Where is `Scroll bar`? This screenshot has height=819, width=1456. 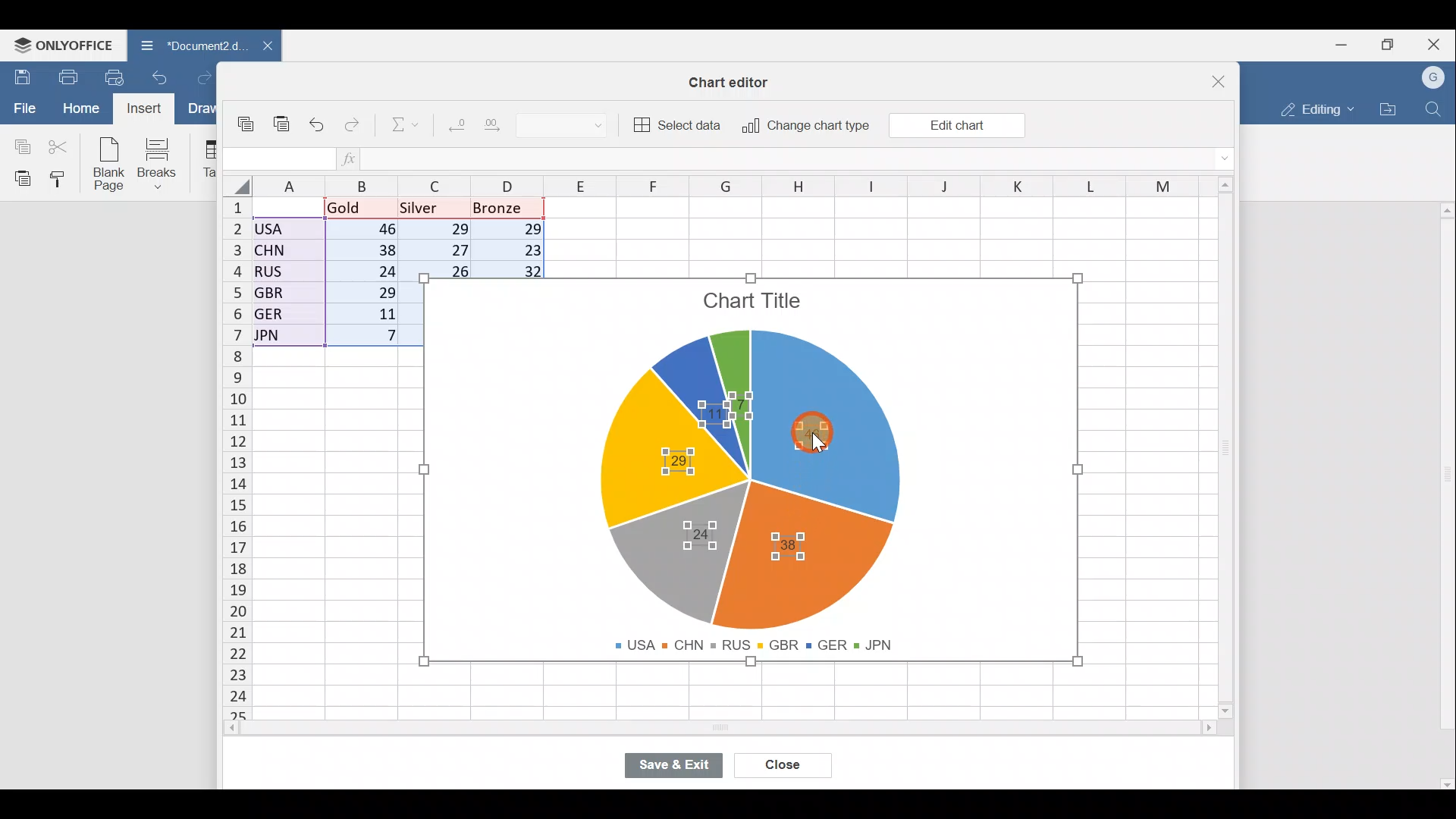
Scroll bar is located at coordinates (1232, 452).